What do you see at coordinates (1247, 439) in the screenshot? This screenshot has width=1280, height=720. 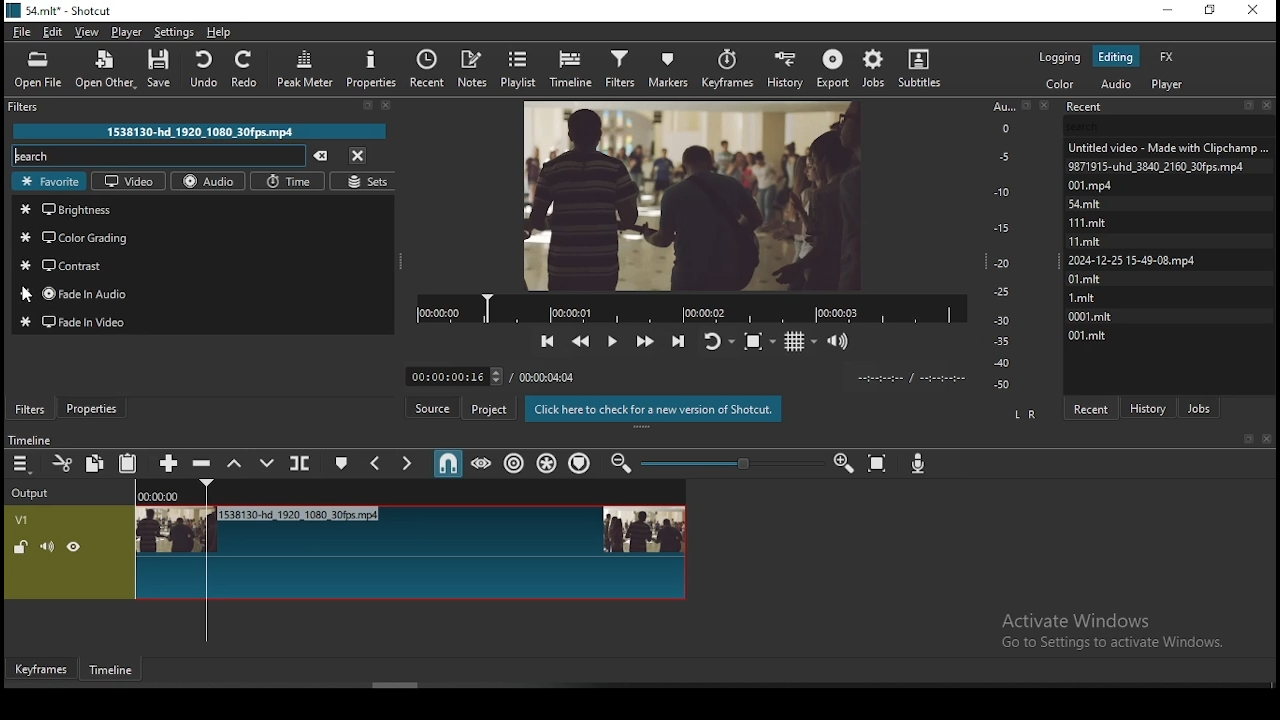 I see `bookmark` at bounding box center [1247, 439].